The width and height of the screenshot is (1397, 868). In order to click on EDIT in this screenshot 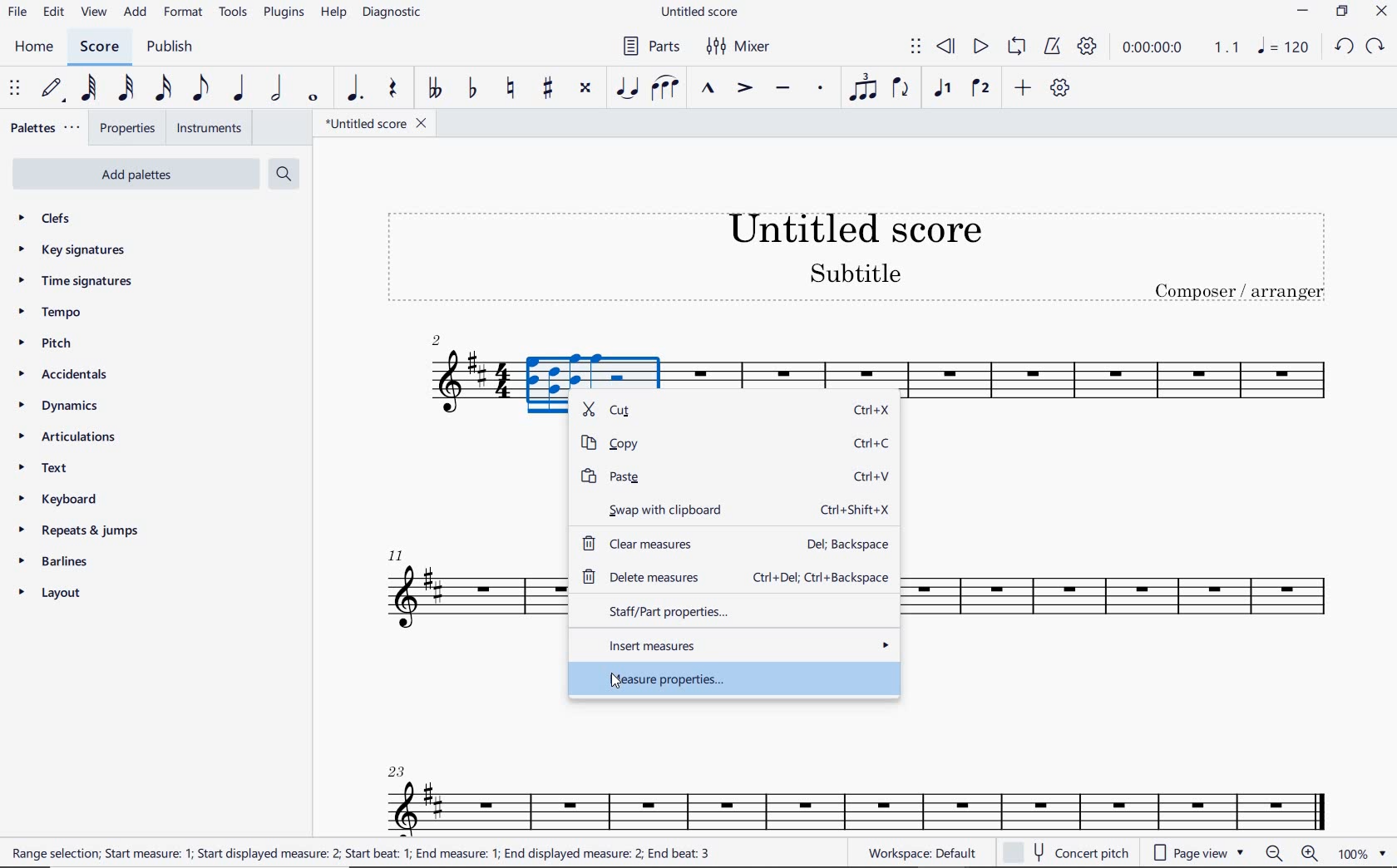, I will do `click(53, 14)`.